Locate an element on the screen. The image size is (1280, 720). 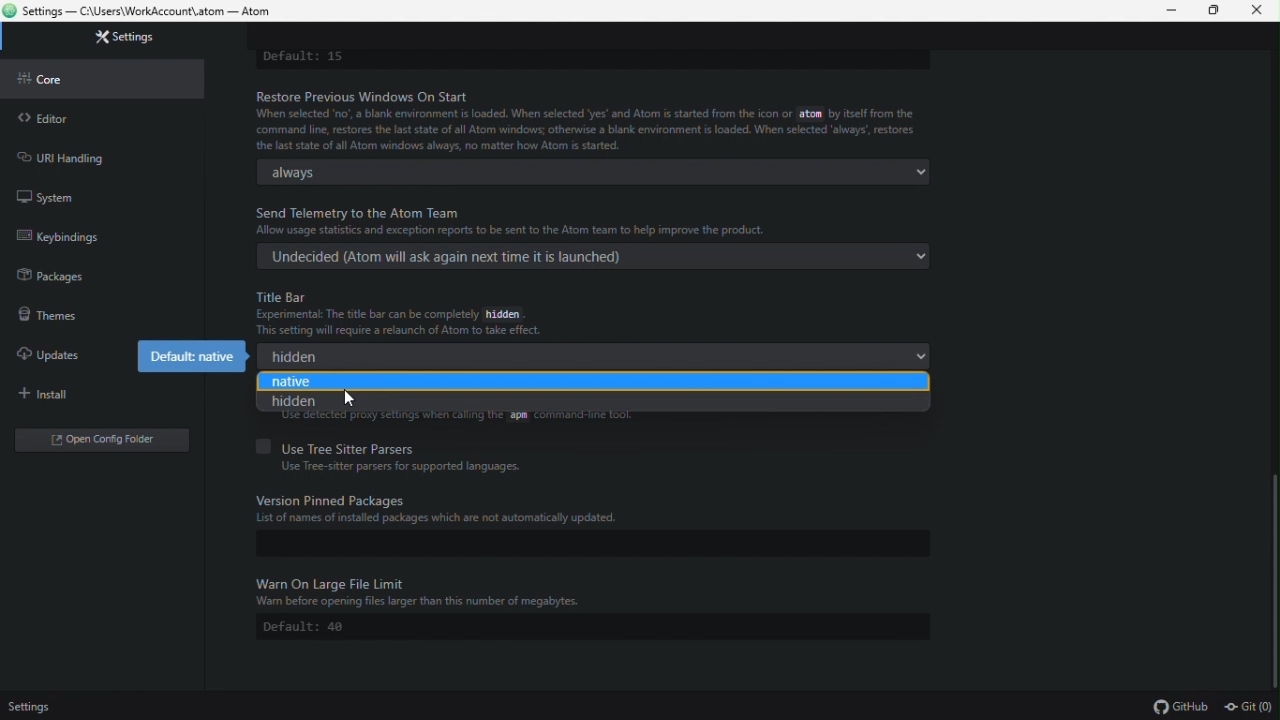
Cursor is located at coordinates (347, 398).